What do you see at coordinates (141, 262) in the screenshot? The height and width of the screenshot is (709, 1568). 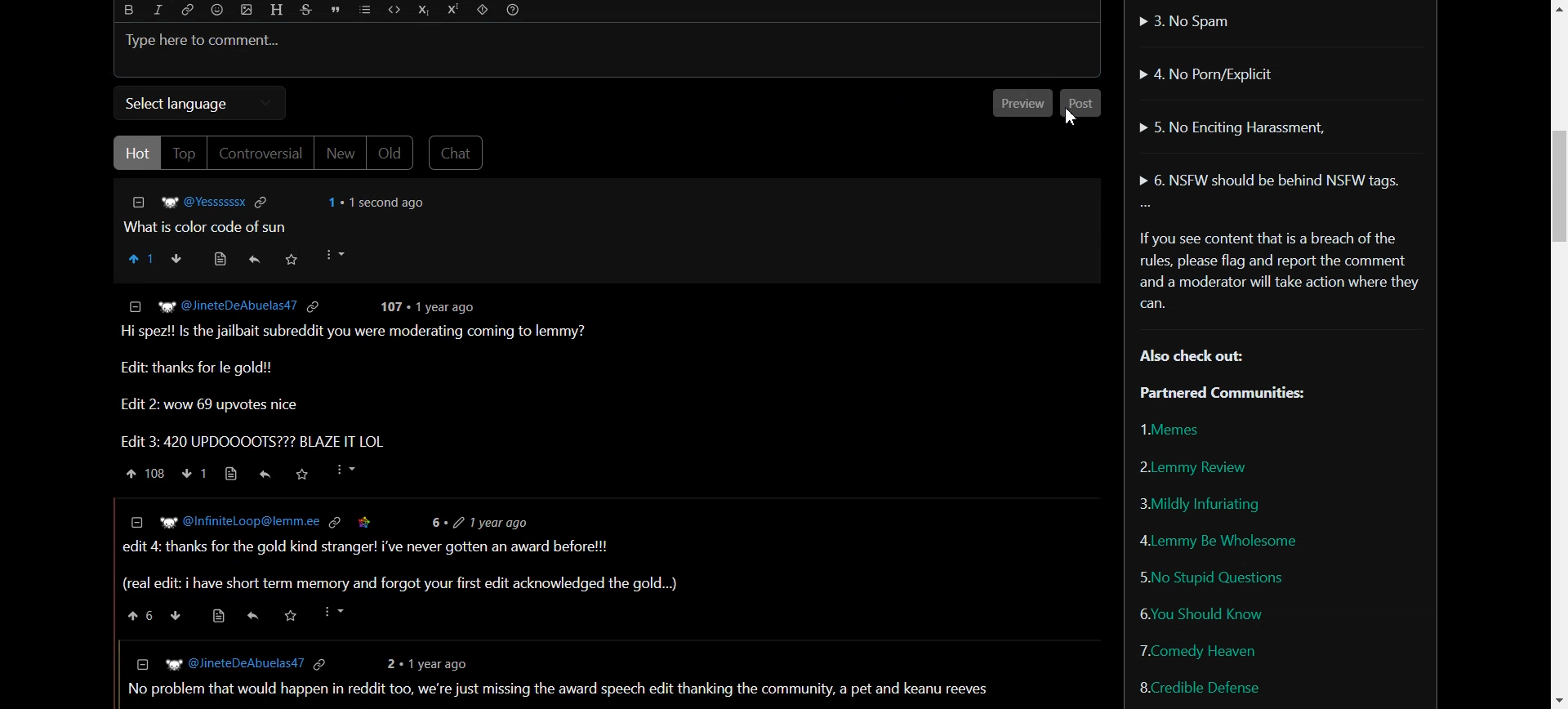 I see `Upvote` at bounding box center [141, 262].